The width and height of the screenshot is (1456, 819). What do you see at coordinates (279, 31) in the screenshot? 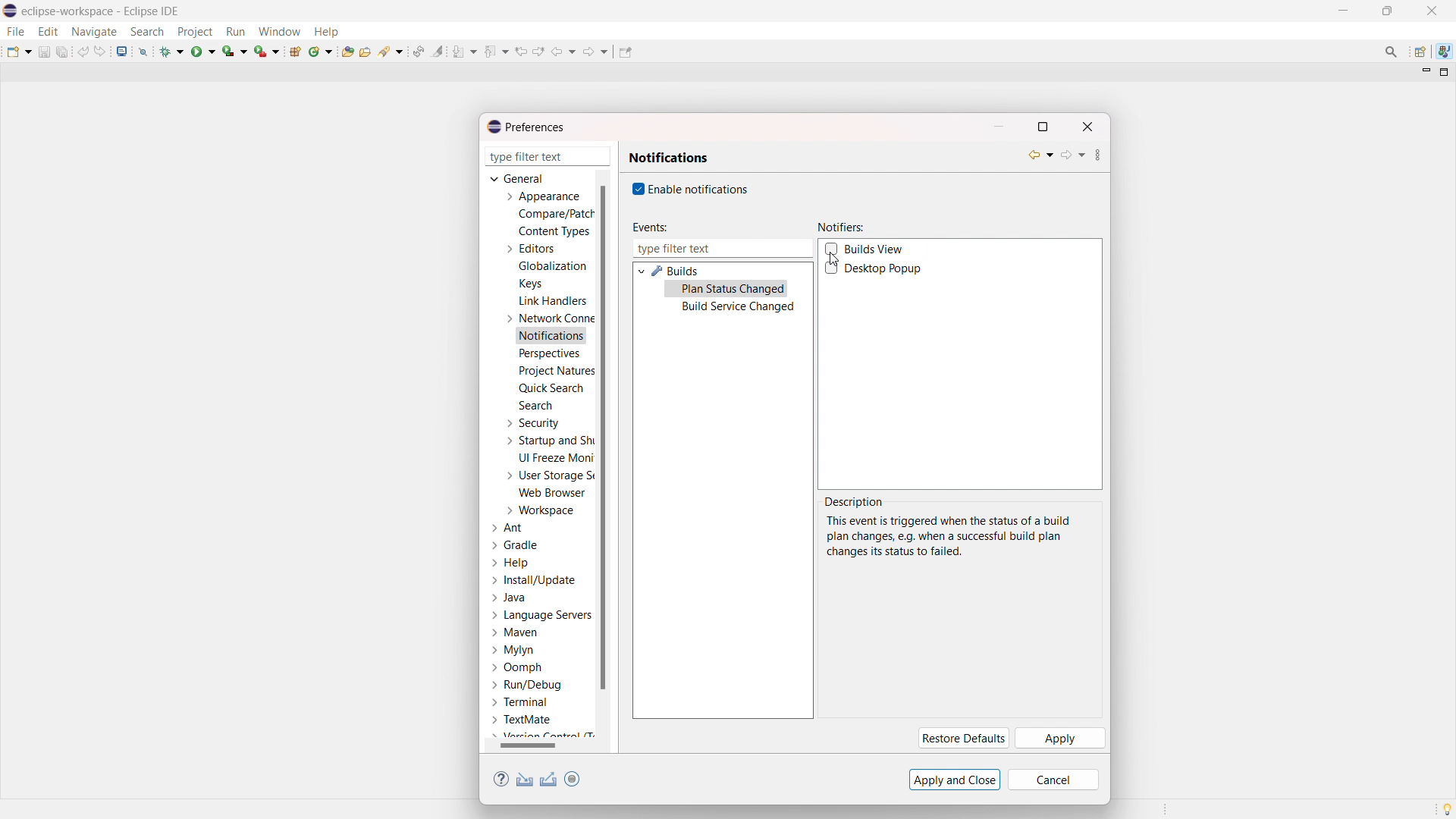
I see `window` at bounding box center [279, 31].